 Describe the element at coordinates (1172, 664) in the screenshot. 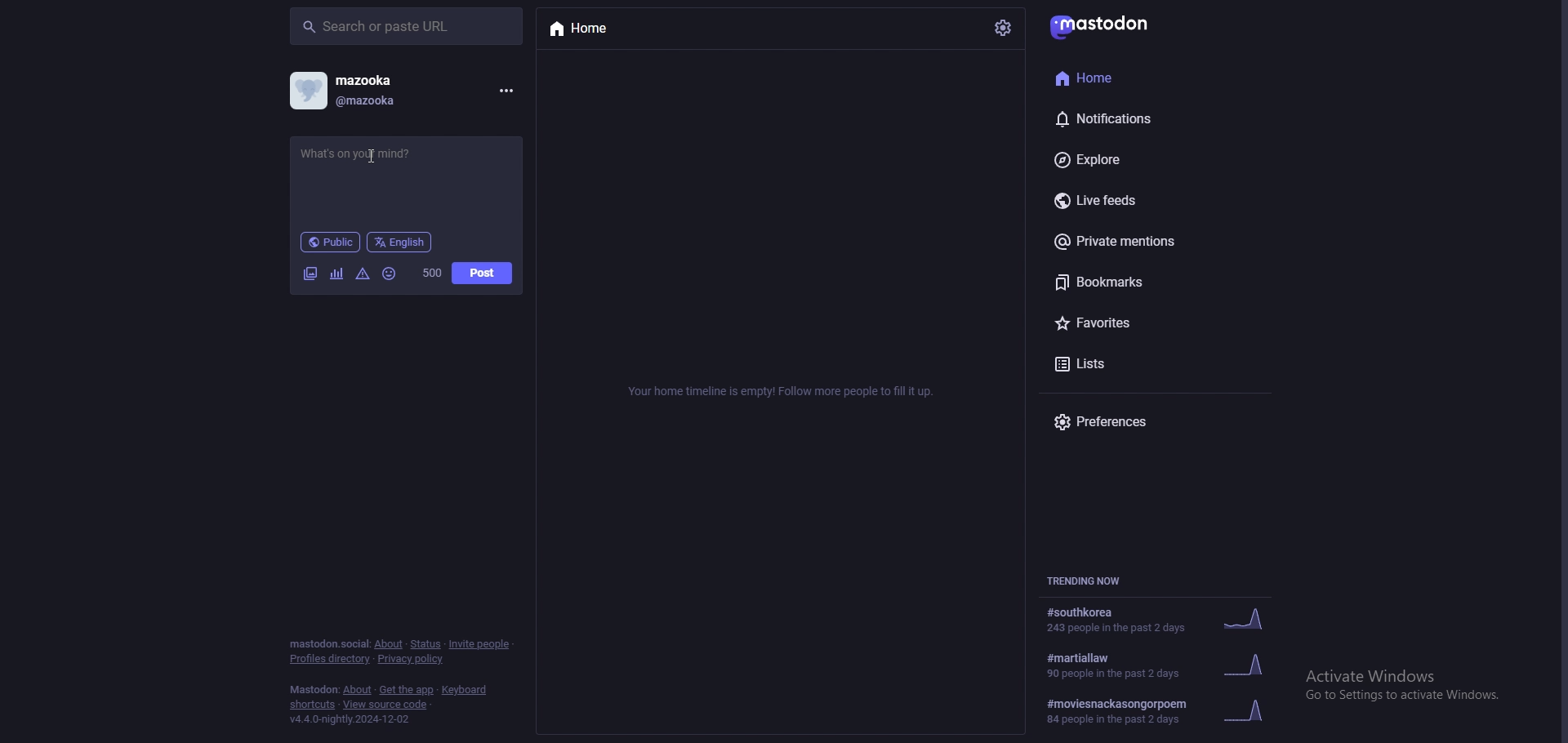

I see `trending` at that location.